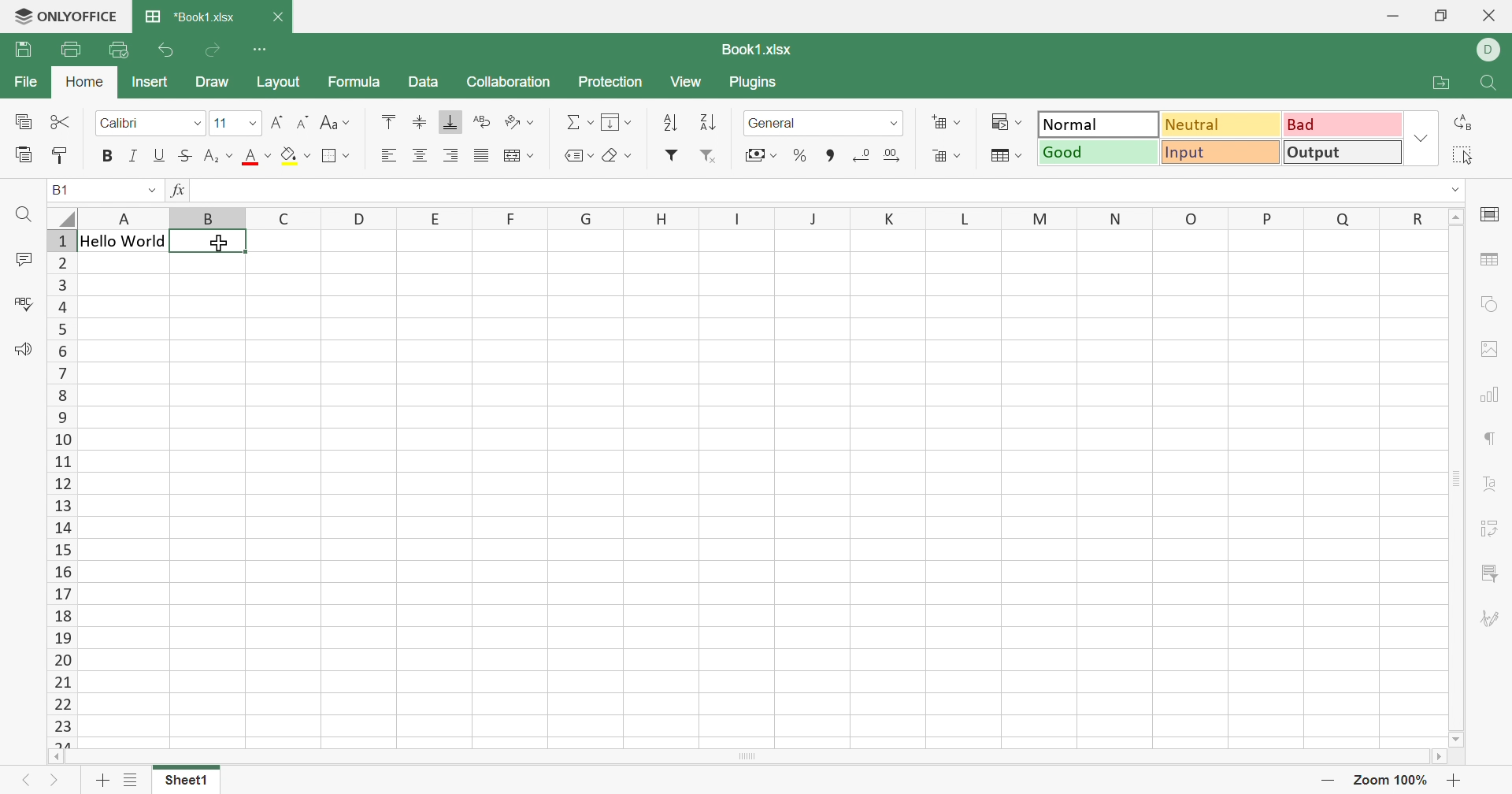  Describe the element at coordinates (65, 15) in the screenshot. I see `ONLYOFFICE` at that location.